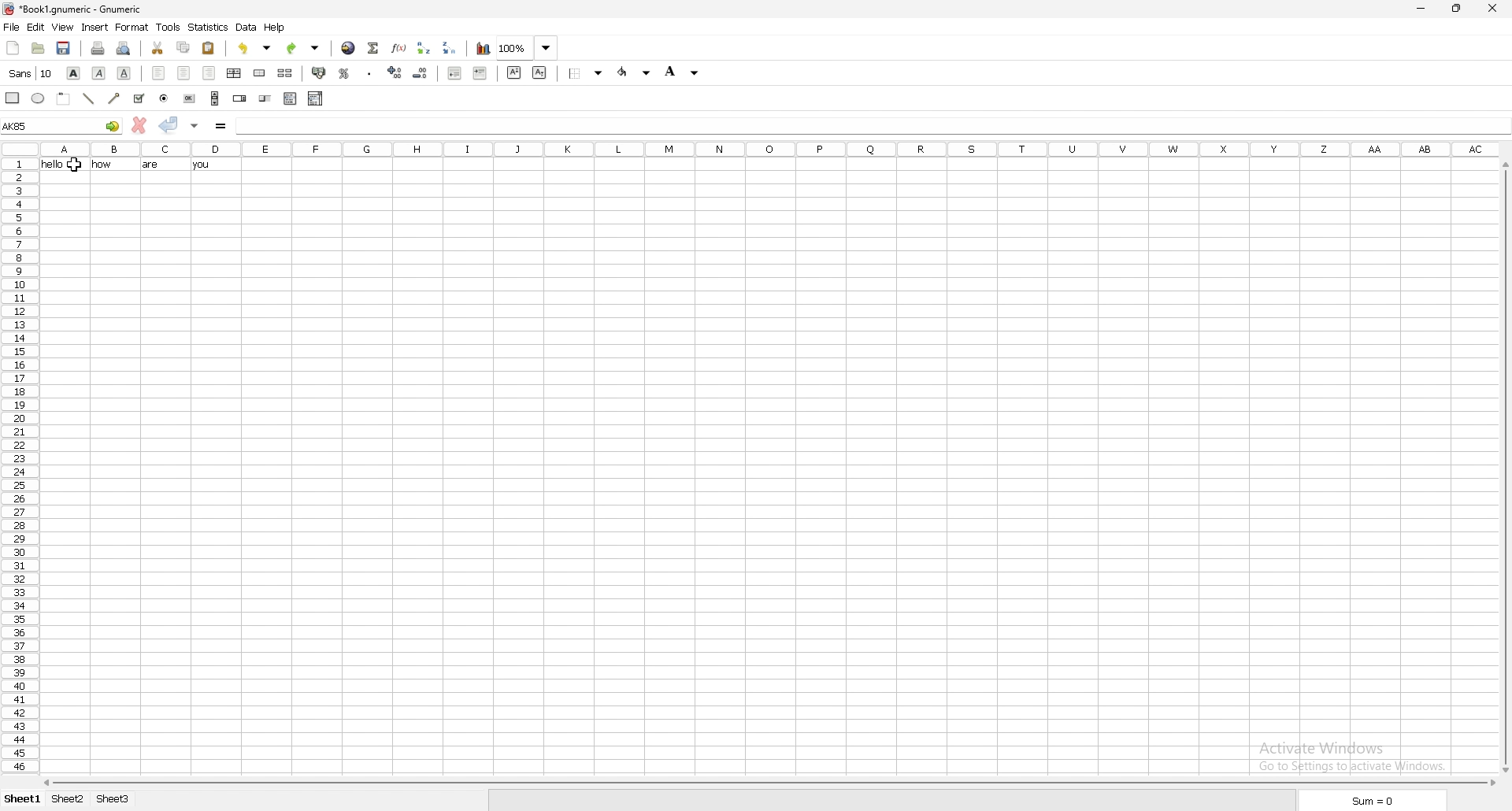 Image resolution: width=1512 pixels, height=811 pixels. What do you see at coordinates (235, 72) in the screenshot?
I see `centre horizontally` at bounding box center [235, 72].